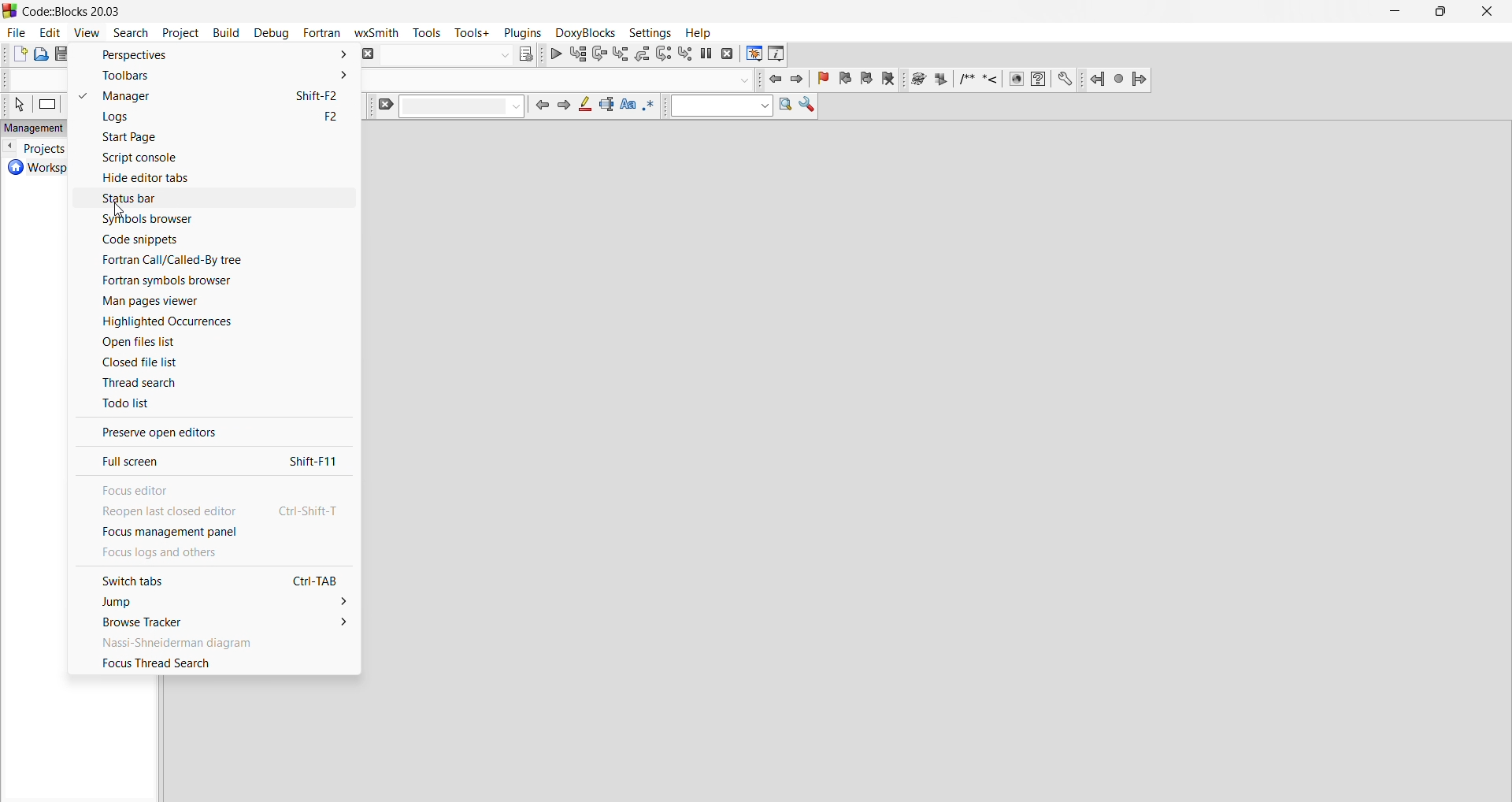 The width and height of the screenshot is (1512, 802). Describe the element at coordinates (843, 81) in the screenshot. I see `previous bookmark` at that location.